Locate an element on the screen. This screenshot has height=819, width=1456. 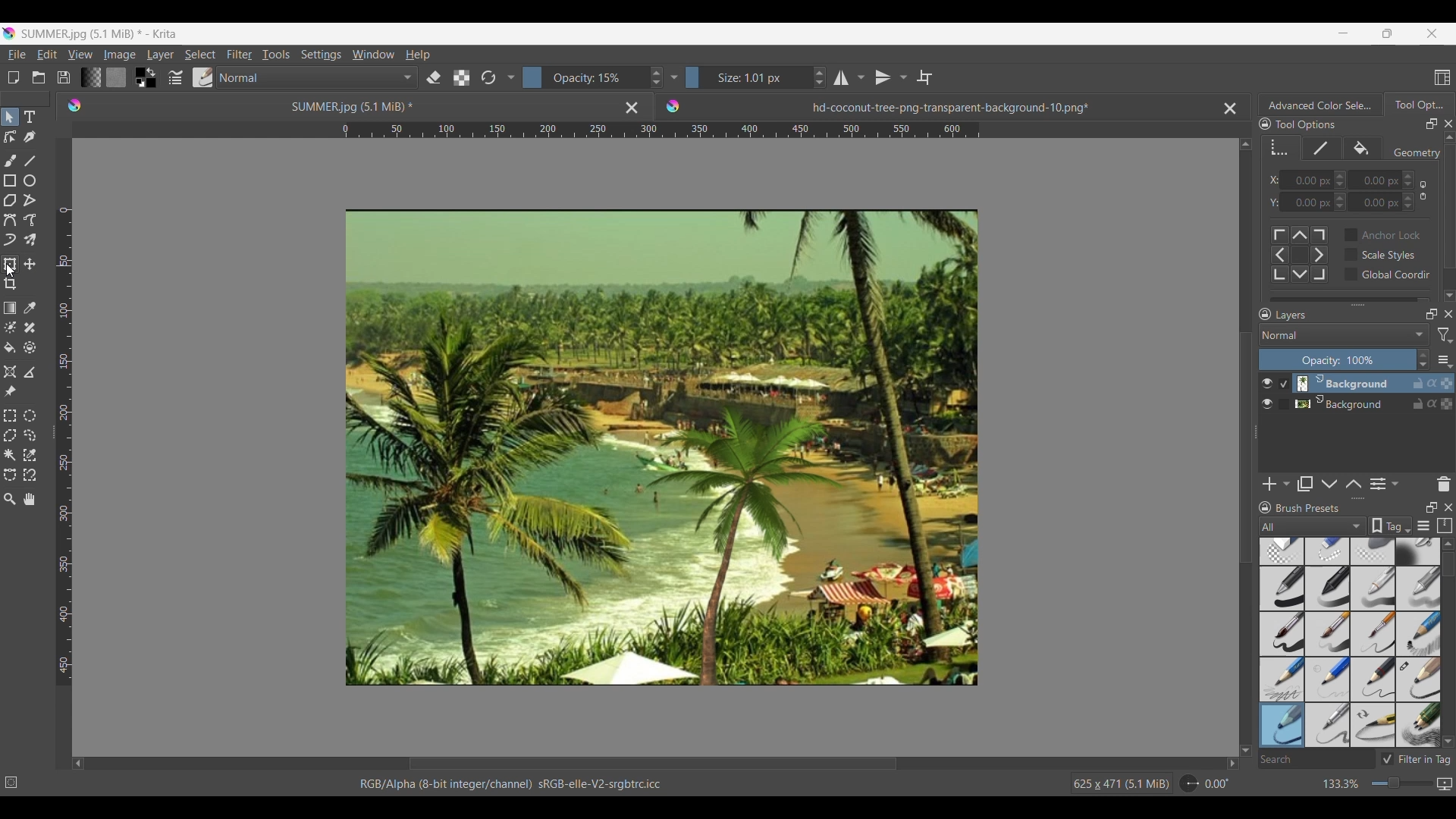
Zoom tool is located at coordinates (10, 499).